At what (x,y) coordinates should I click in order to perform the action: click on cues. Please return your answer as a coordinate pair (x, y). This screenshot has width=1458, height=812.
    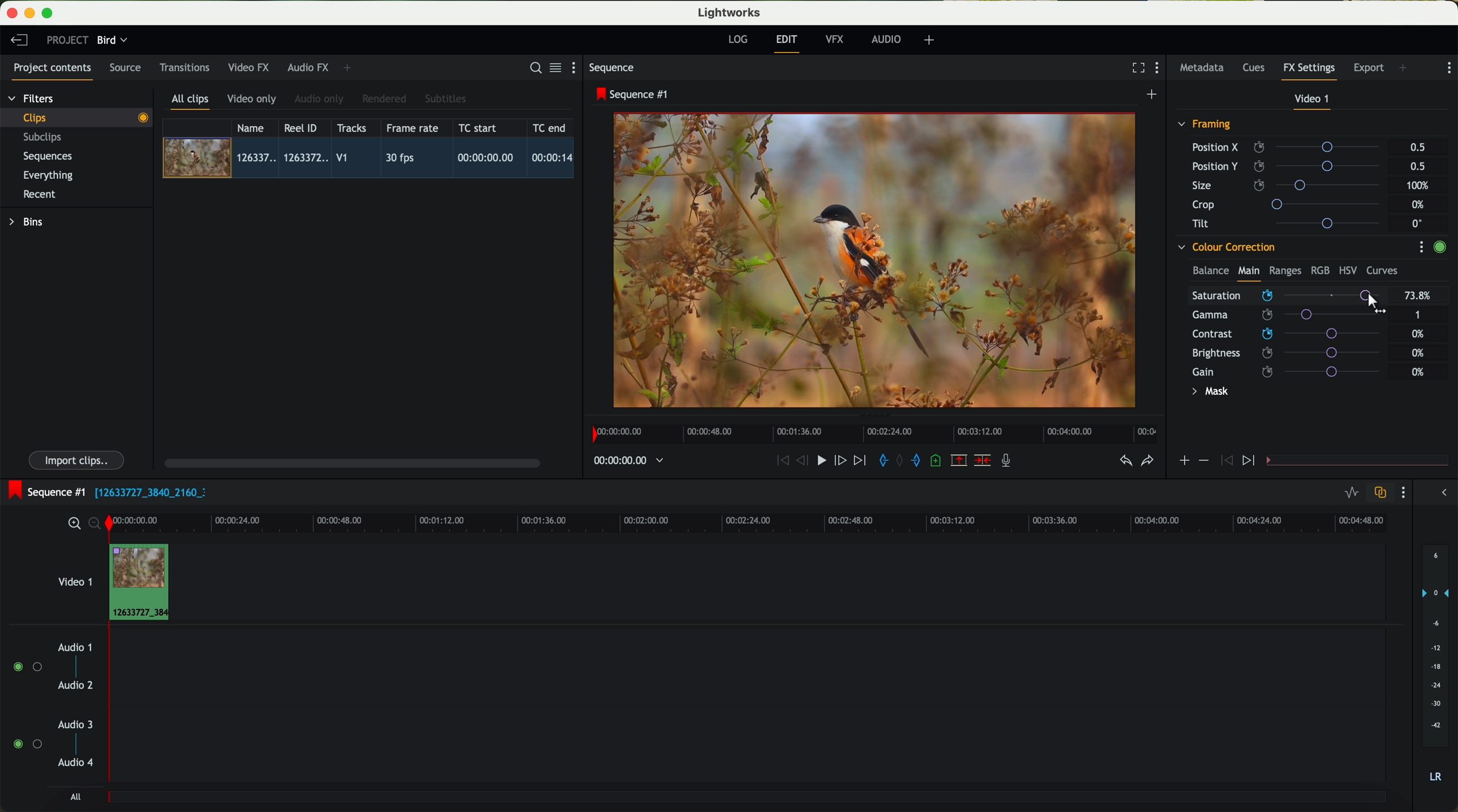
    Looking at the image, I should click on (1257, 68).